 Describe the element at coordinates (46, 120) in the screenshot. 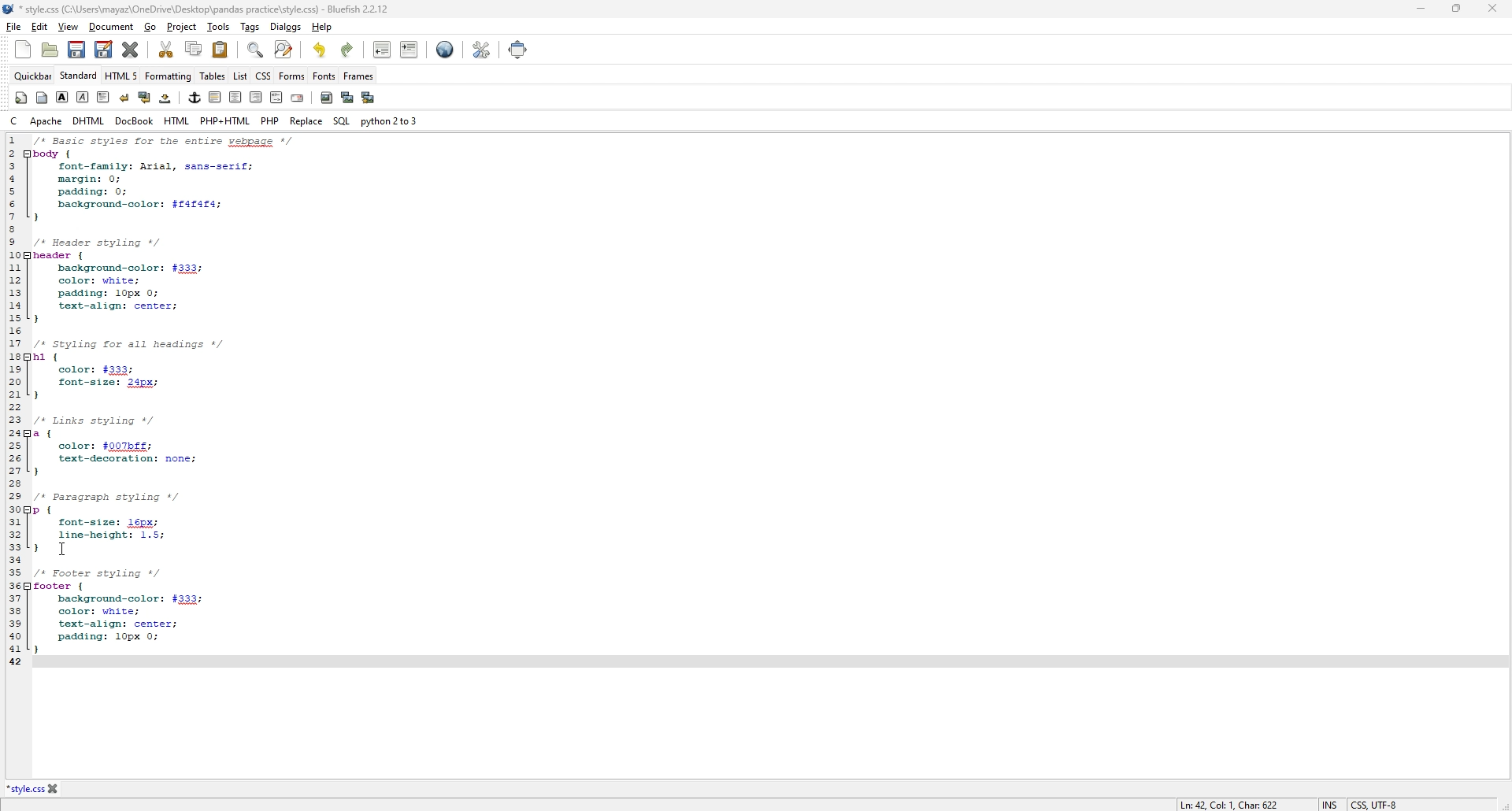

I see `apache` at that location.